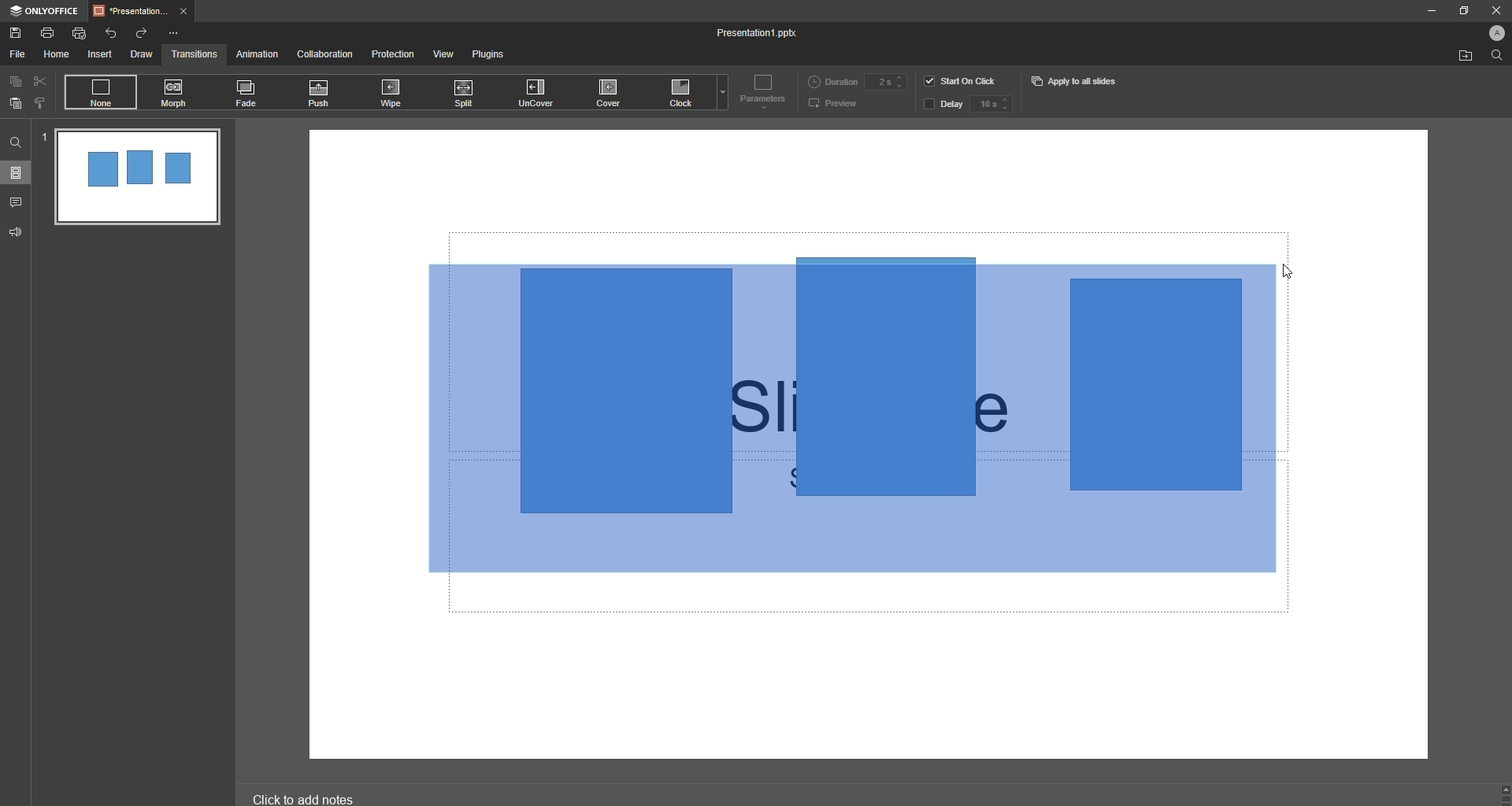  Describe the element at coordinates (318, 791) in the screenshot. I see `click to add notes` at that location.